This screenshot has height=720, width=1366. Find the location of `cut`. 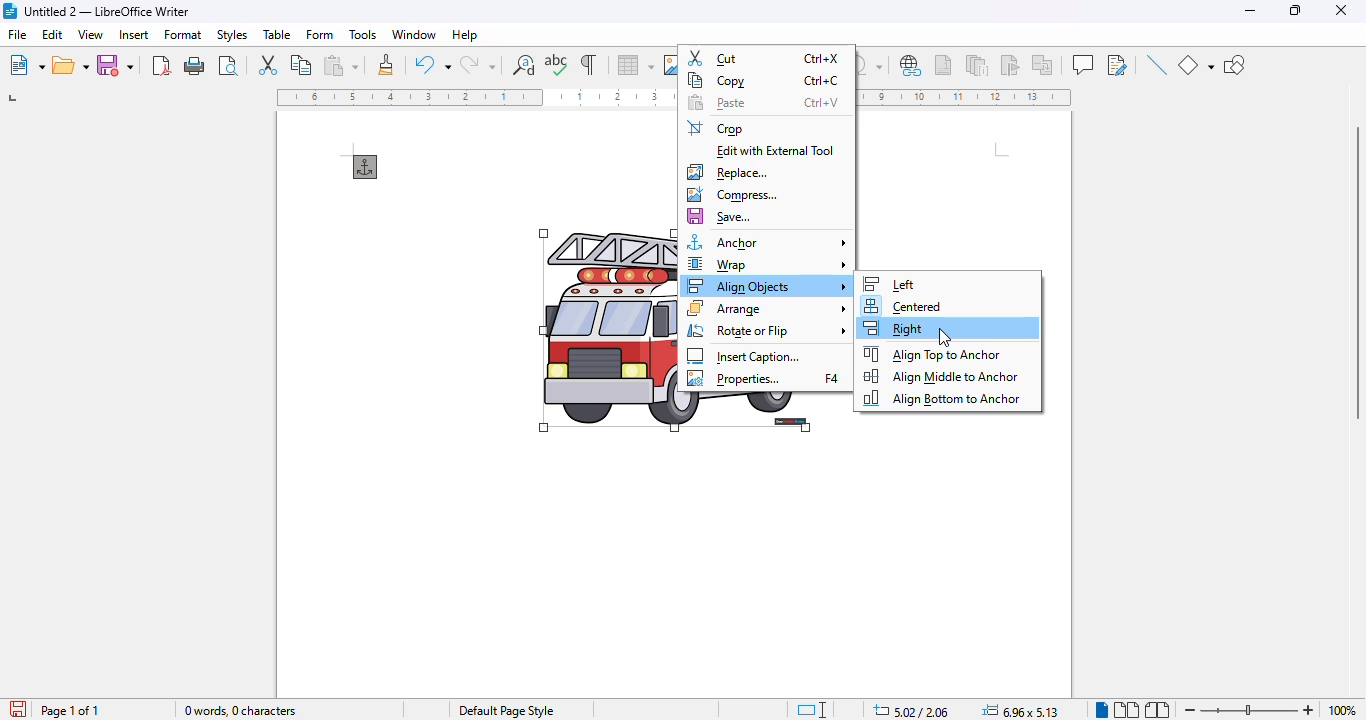

cut is located at coordinates (763, 58).